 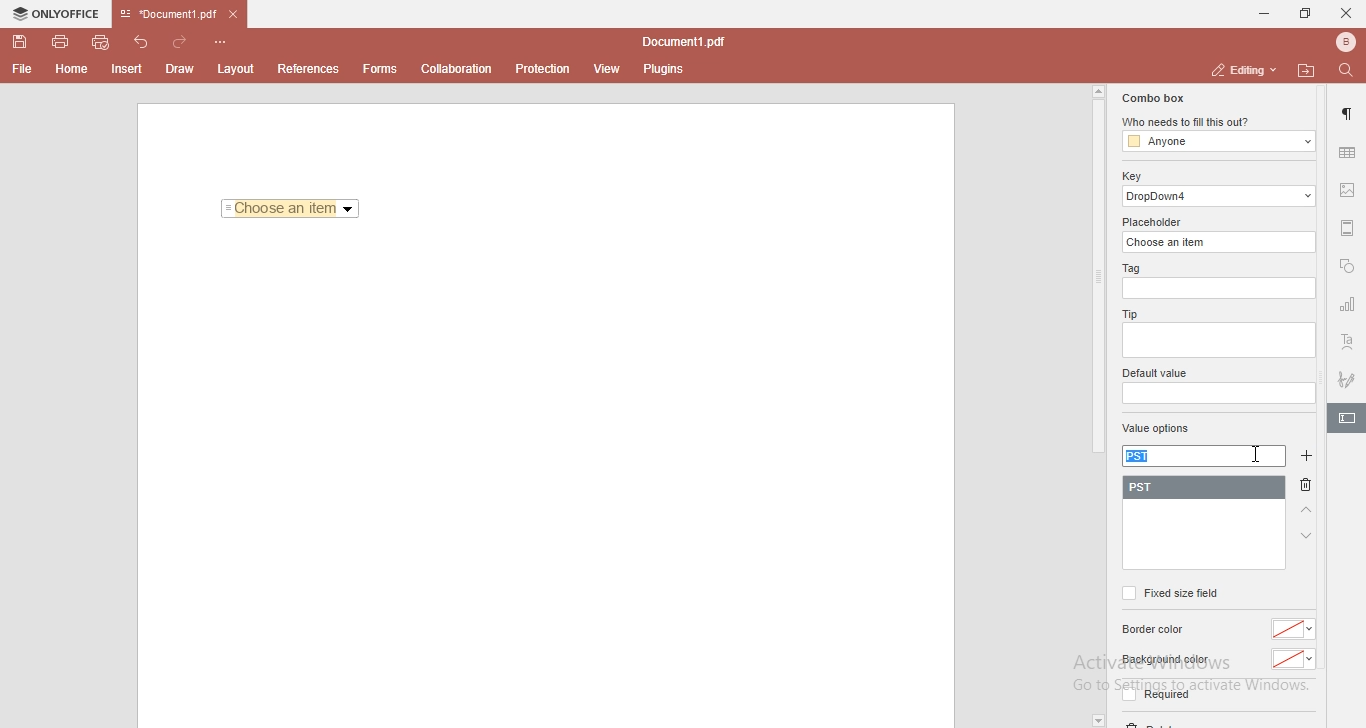 I want to click on default value, so click(x=1157, y=374).